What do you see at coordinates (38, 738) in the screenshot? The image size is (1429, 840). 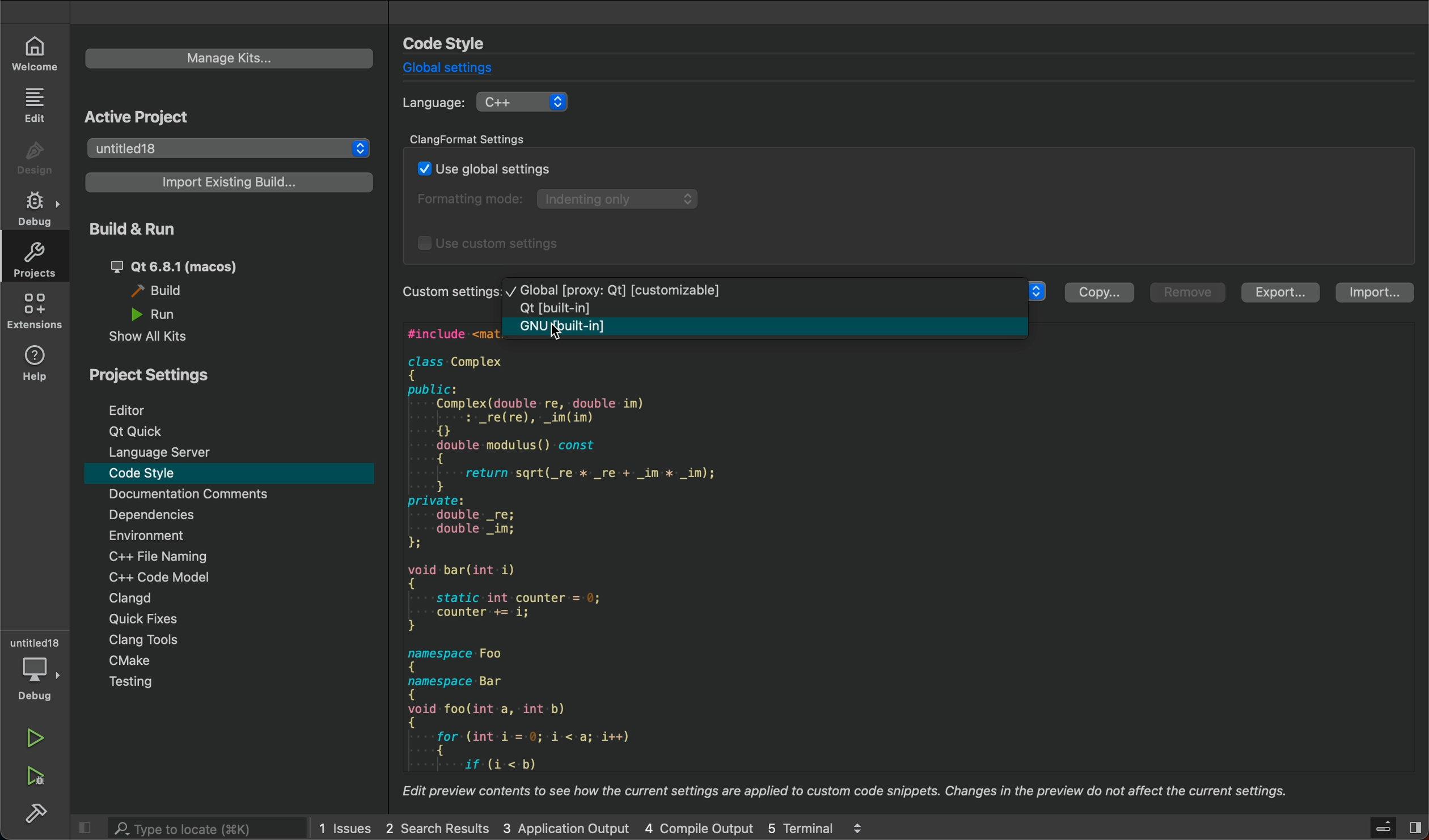 I see `run` at bounding box center [38, 738].